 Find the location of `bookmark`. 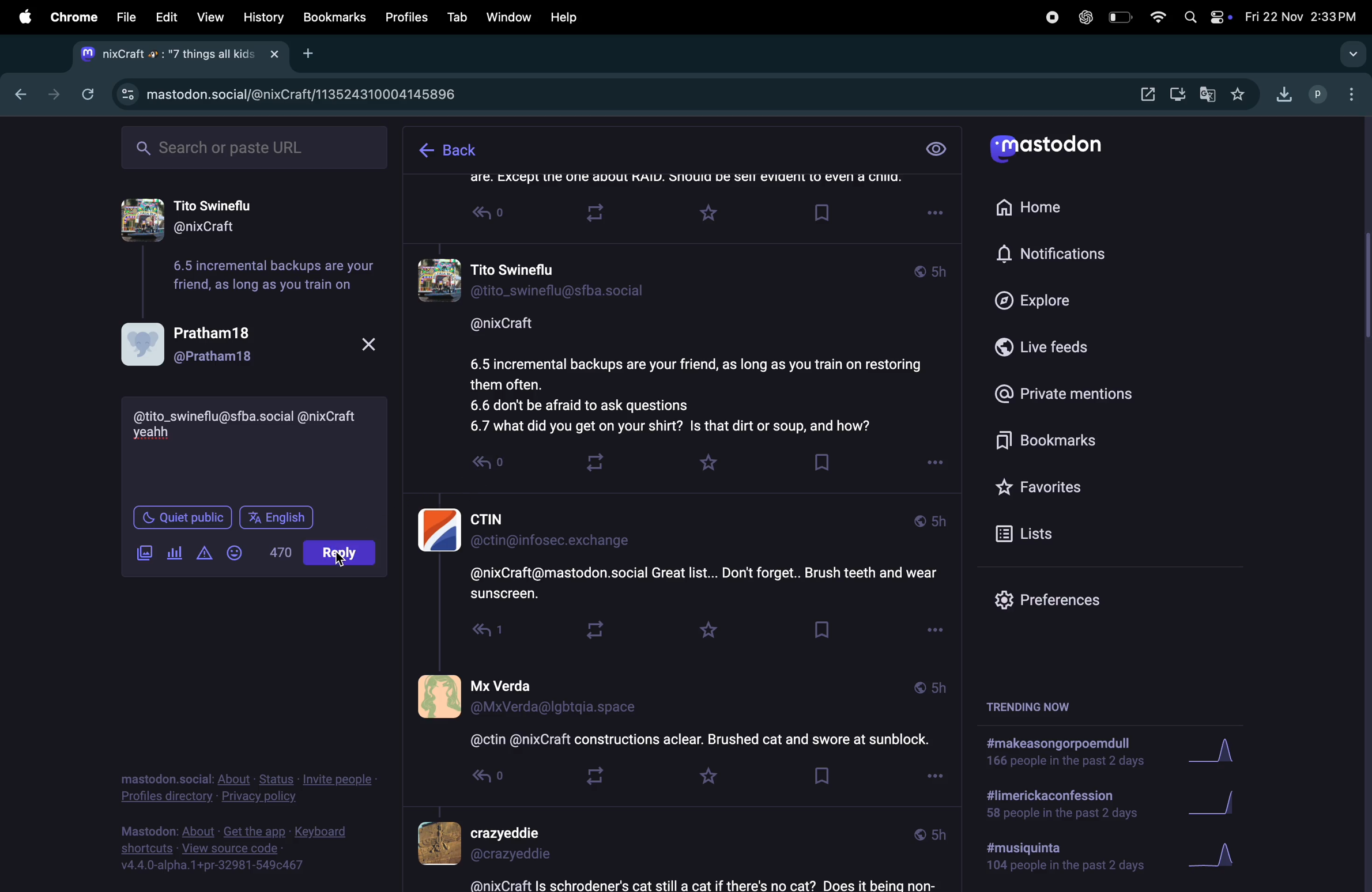

bookmark is located at coordinates (335, 18).